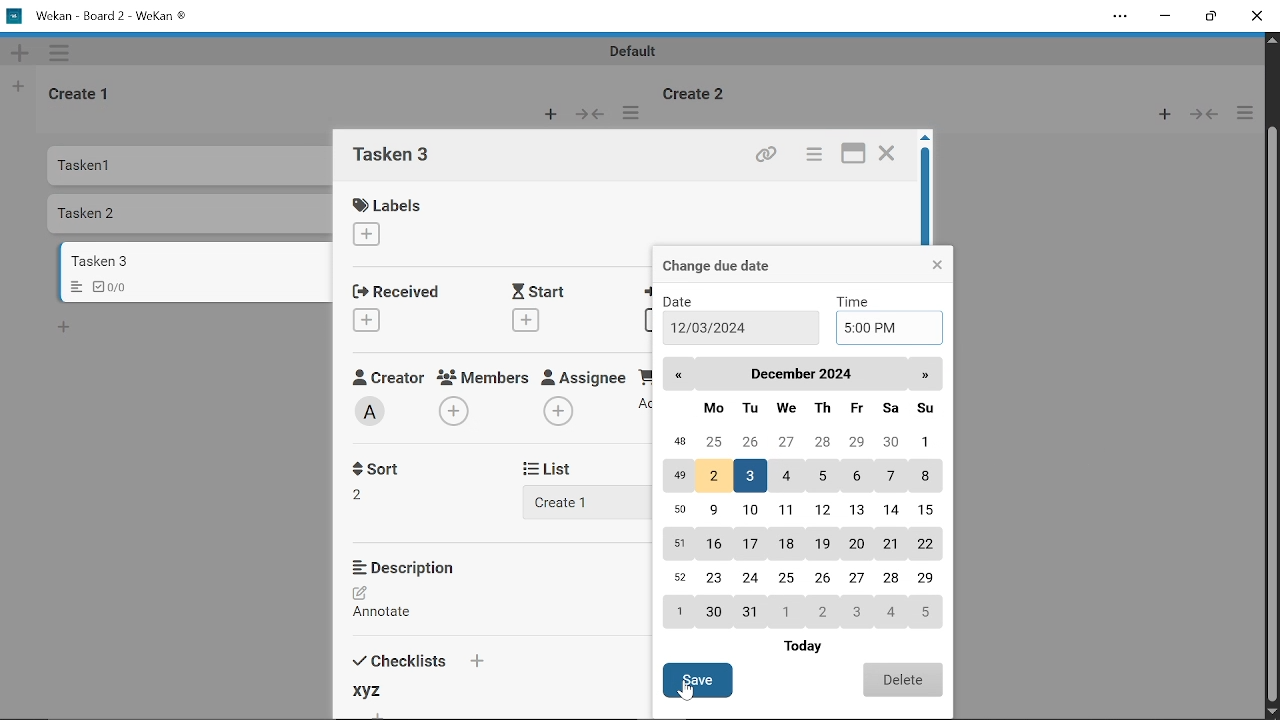 This screenshot has width=1280, height=720. Describe the element at coordinates (1272, 40) in the screenshot. I see `Move up` at that location.